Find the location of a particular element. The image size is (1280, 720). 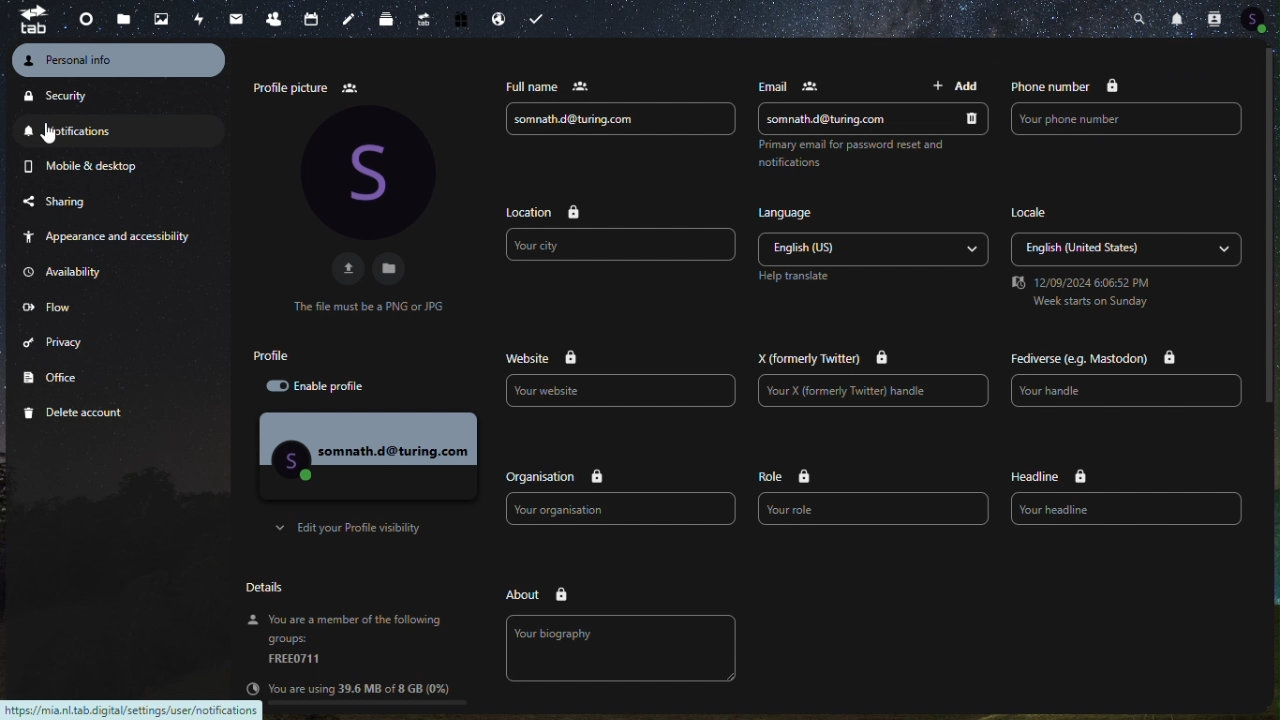

appearance and accessibility is located at coordinates (113, 237).